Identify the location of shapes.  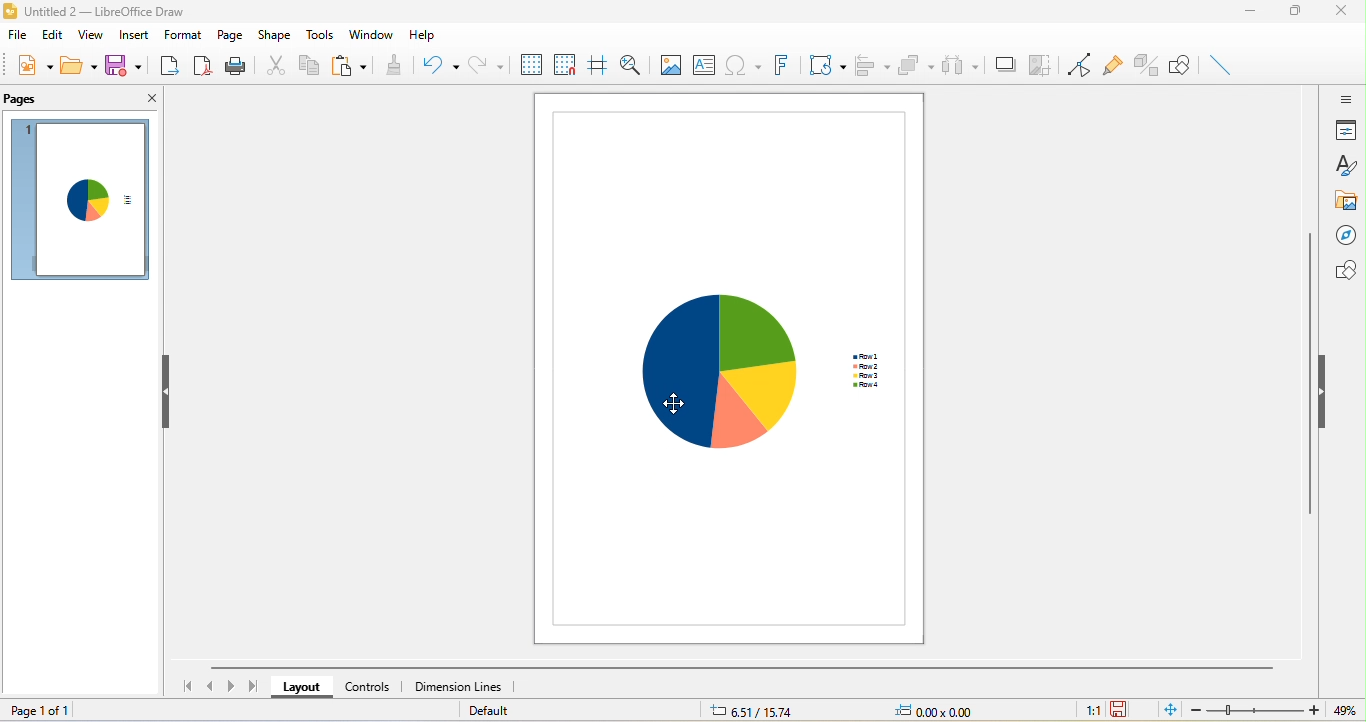
(1343, 270).